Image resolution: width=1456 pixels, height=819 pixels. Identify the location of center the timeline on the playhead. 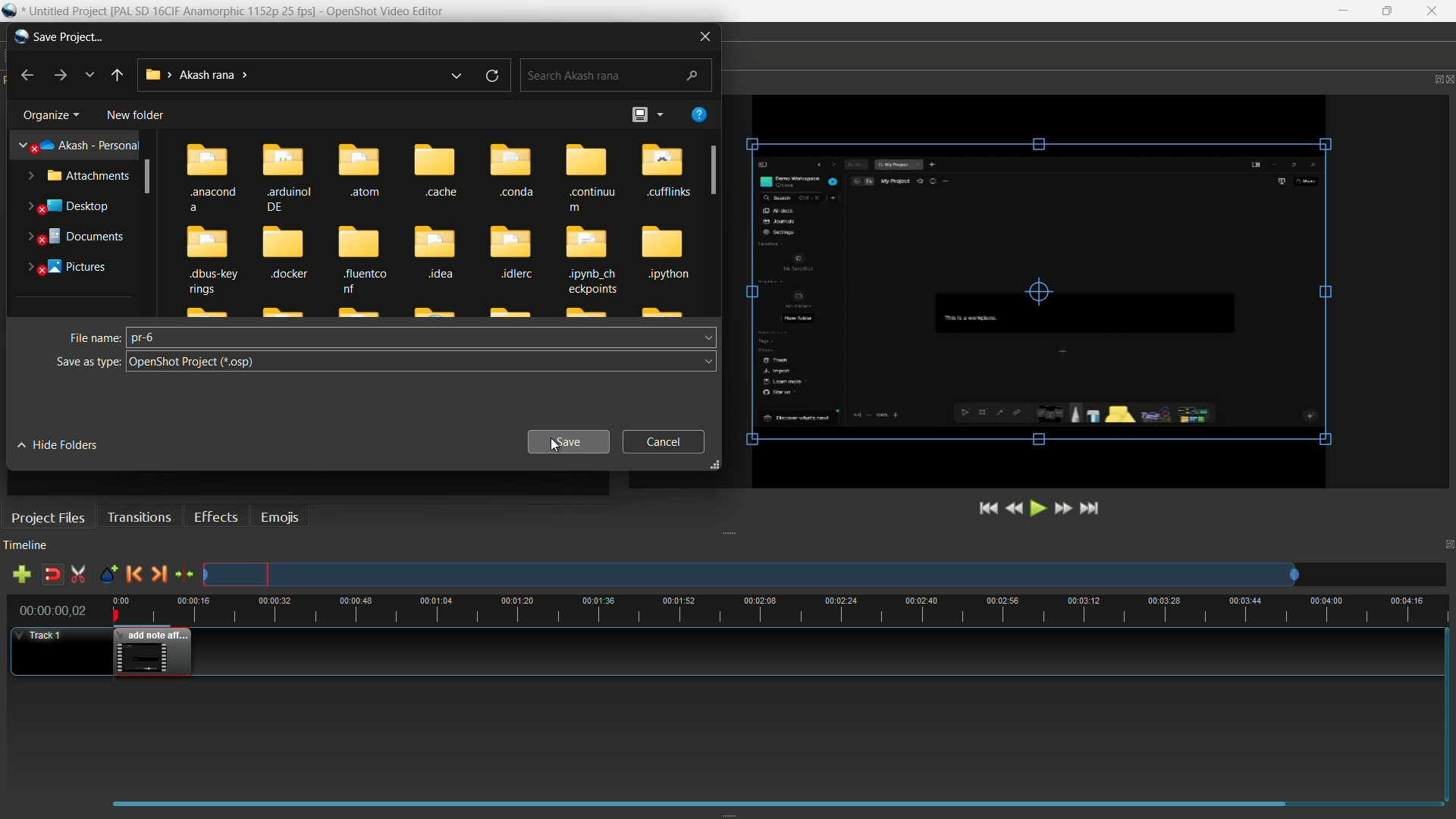
(185, 575).